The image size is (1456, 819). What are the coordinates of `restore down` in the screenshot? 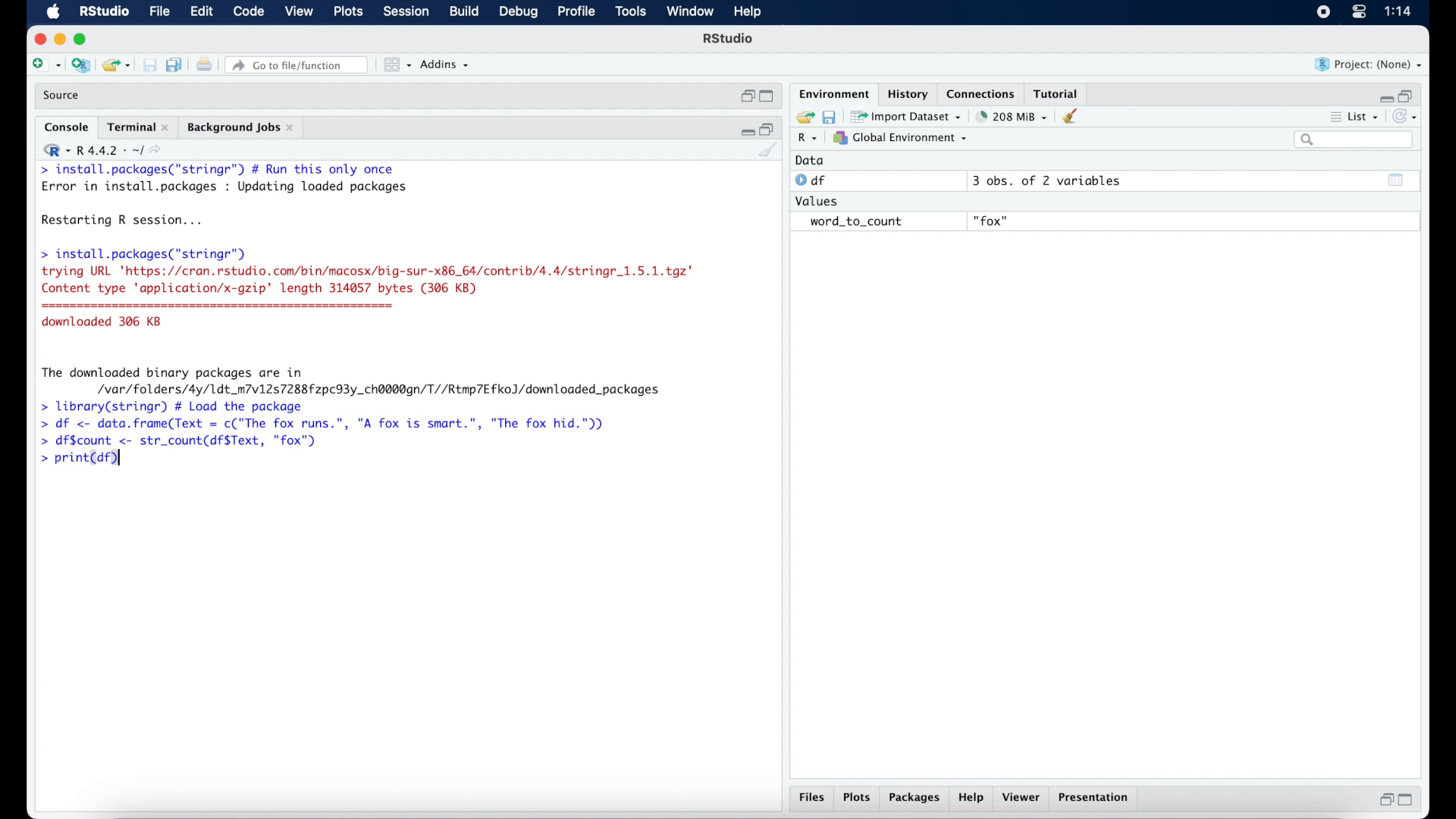 It's located at (768, 128).